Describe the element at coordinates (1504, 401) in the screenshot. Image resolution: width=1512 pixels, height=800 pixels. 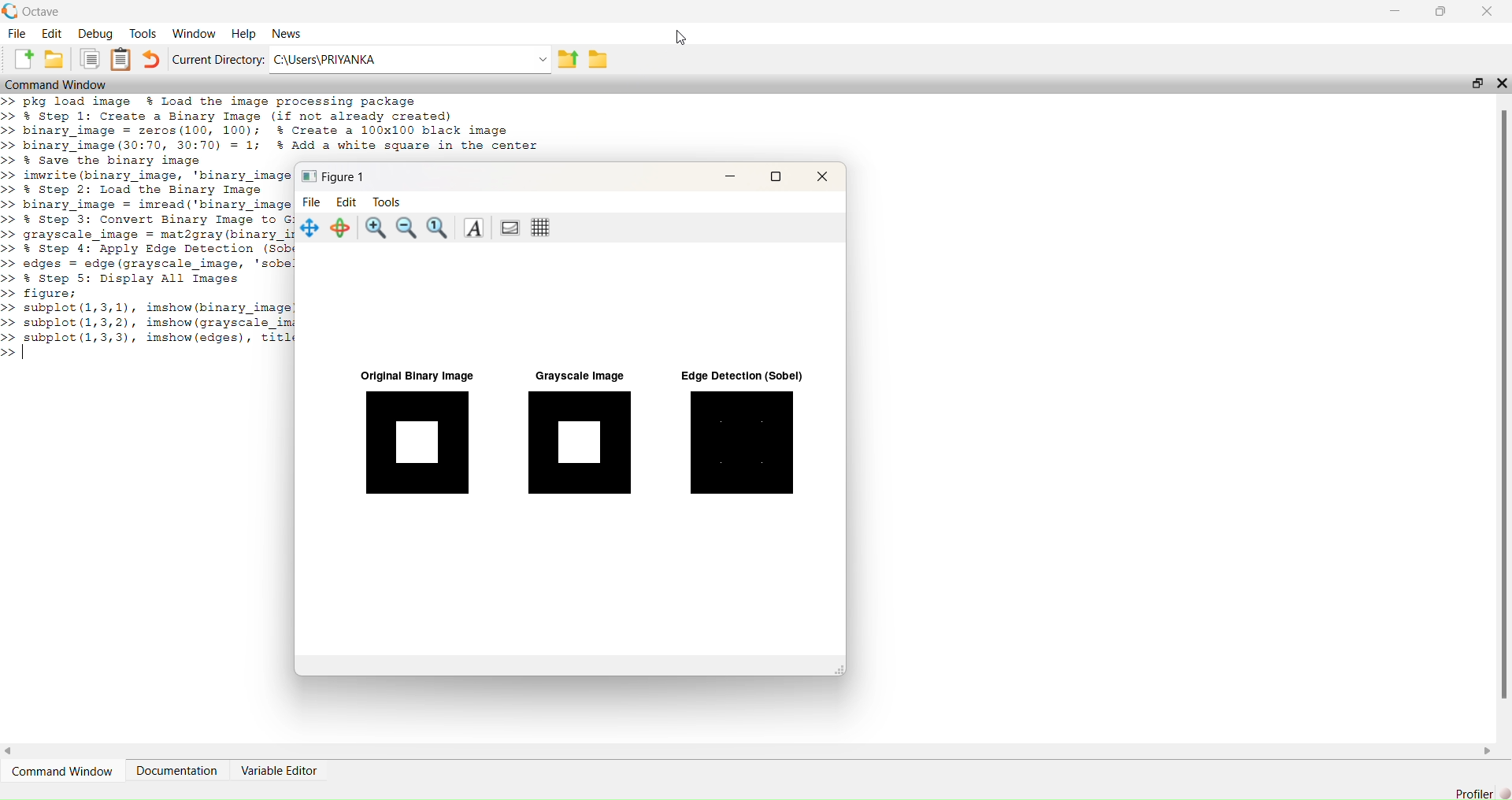
I see `scroll bar` at that location.